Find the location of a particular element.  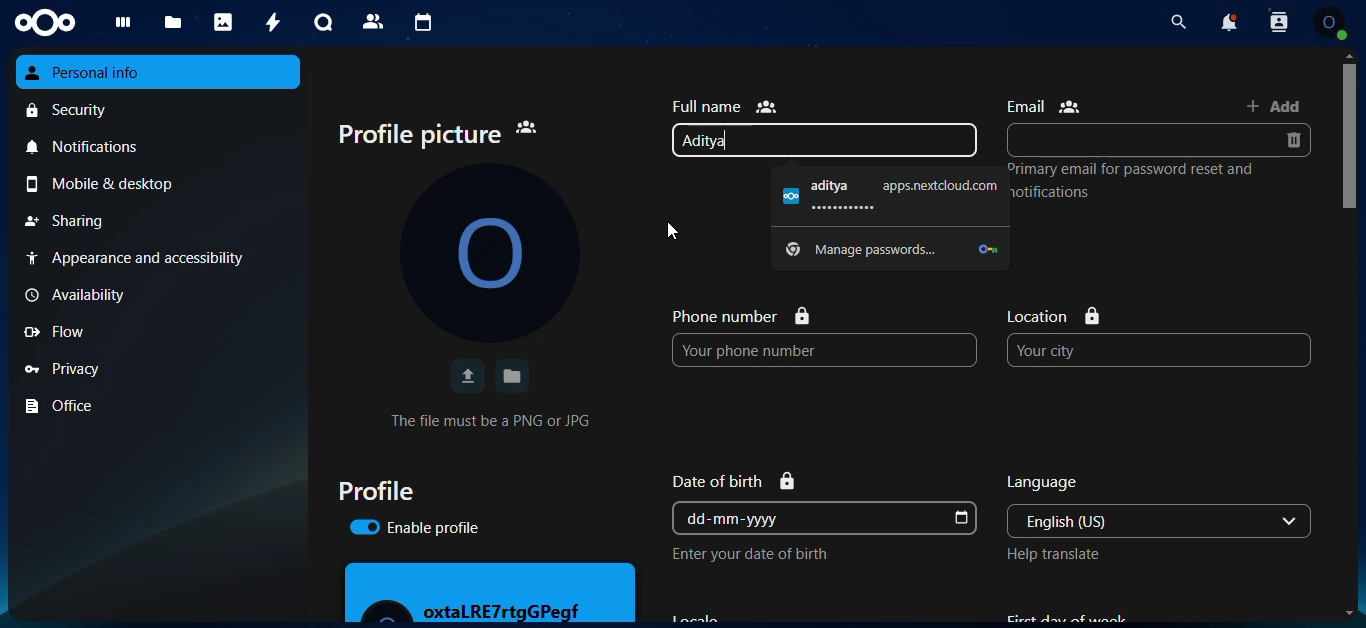

dob is located at coordinates (959, 519).